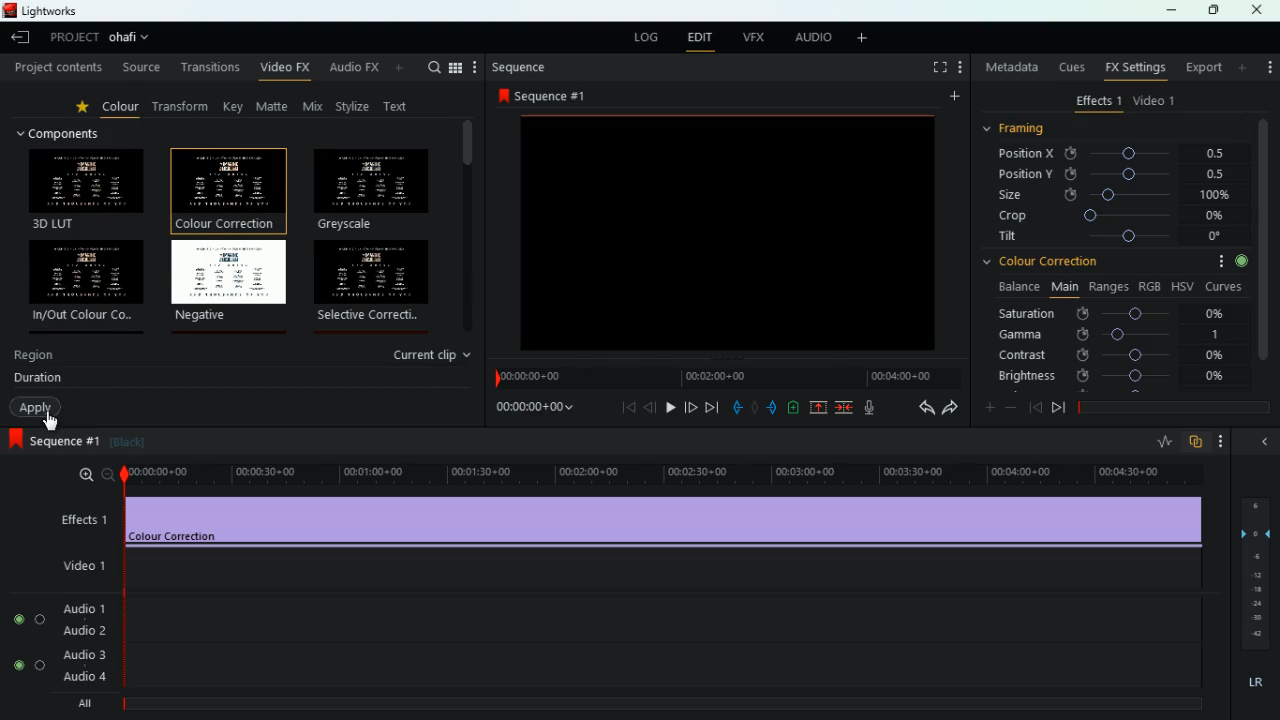 This screenshot has width=1280, height=720. What do you see at coordinates (1019, 289) in the screenshot?
I see `balance` at bounding box center [1019, 289].